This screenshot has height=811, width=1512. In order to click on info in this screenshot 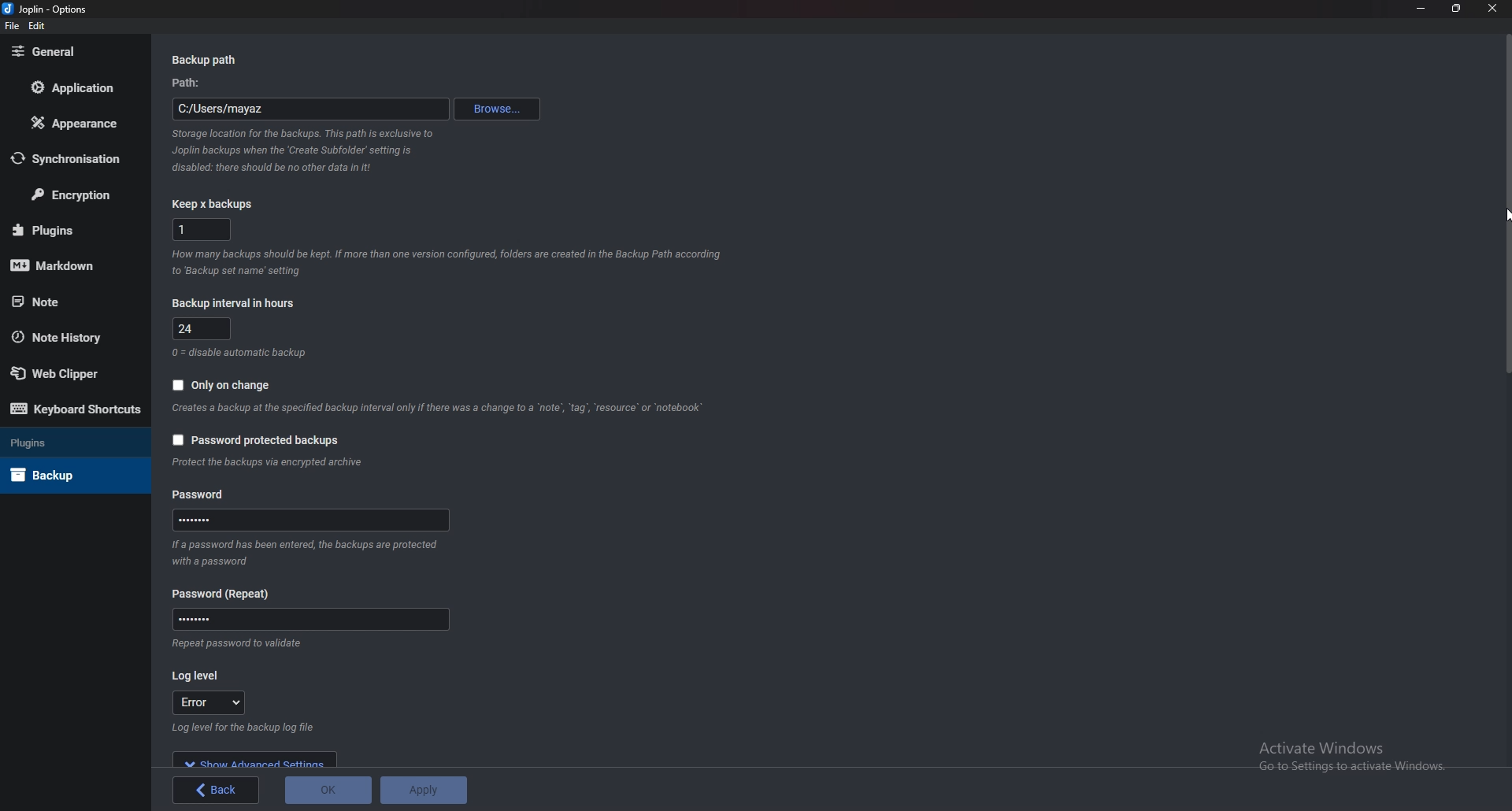, I will do `click(278, 464)`.